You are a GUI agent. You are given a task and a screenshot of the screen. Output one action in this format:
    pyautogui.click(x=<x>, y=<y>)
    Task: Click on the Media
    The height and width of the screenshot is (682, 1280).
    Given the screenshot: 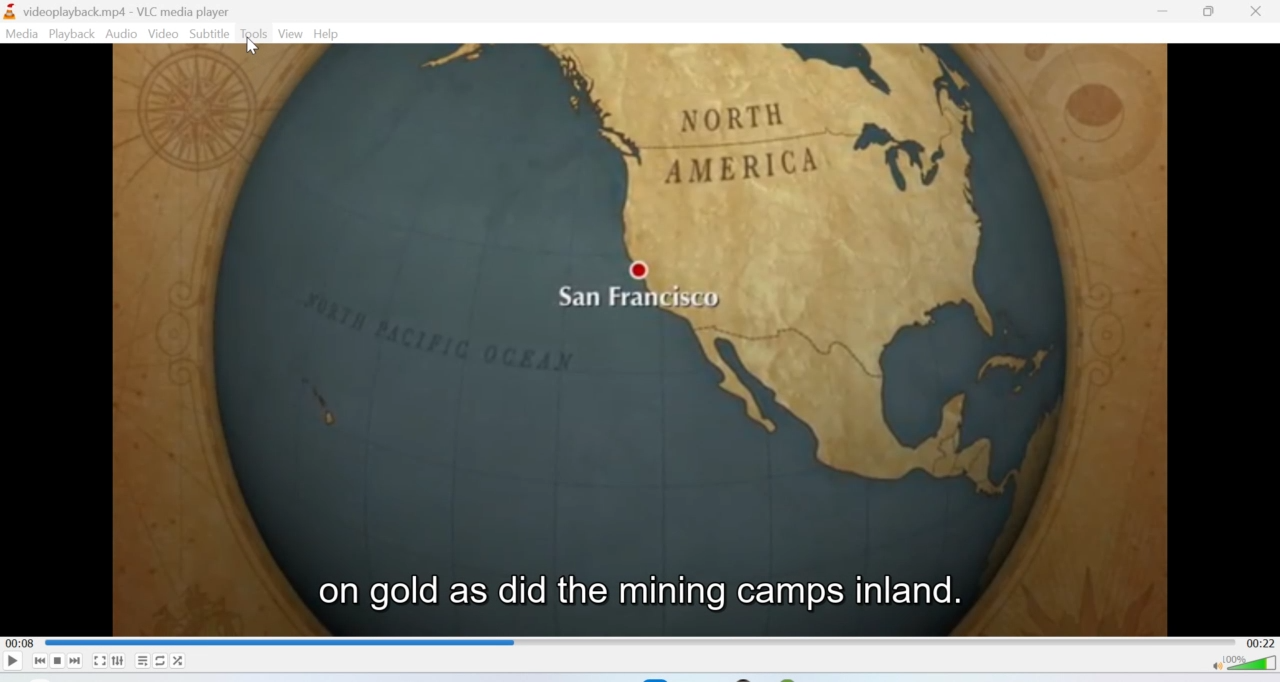 What is the action you would take?
    pyautogui.click(x=22, y=33)
    